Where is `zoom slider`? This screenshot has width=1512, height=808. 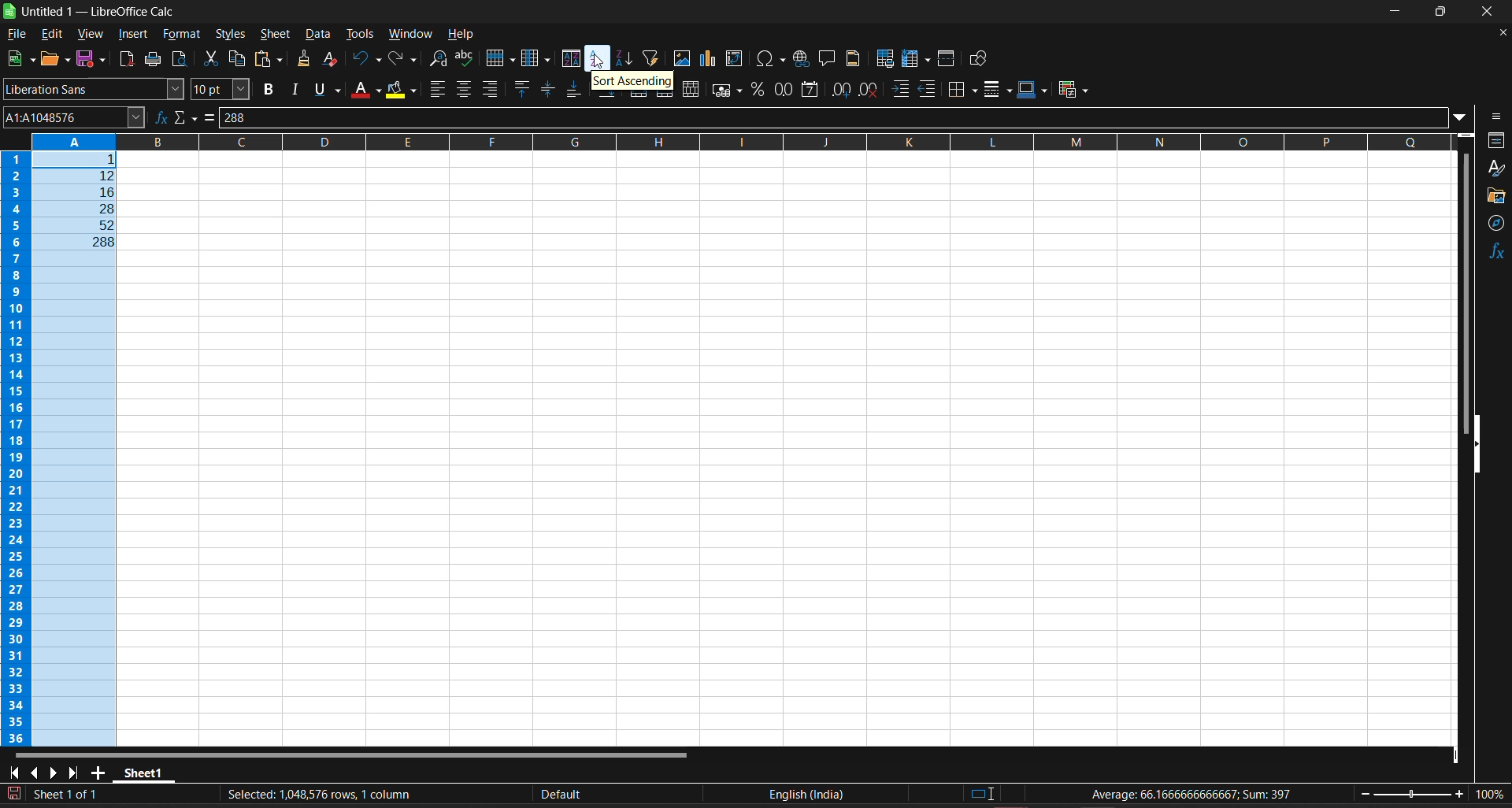
zoom slider is located at coordinates (1412, 797).